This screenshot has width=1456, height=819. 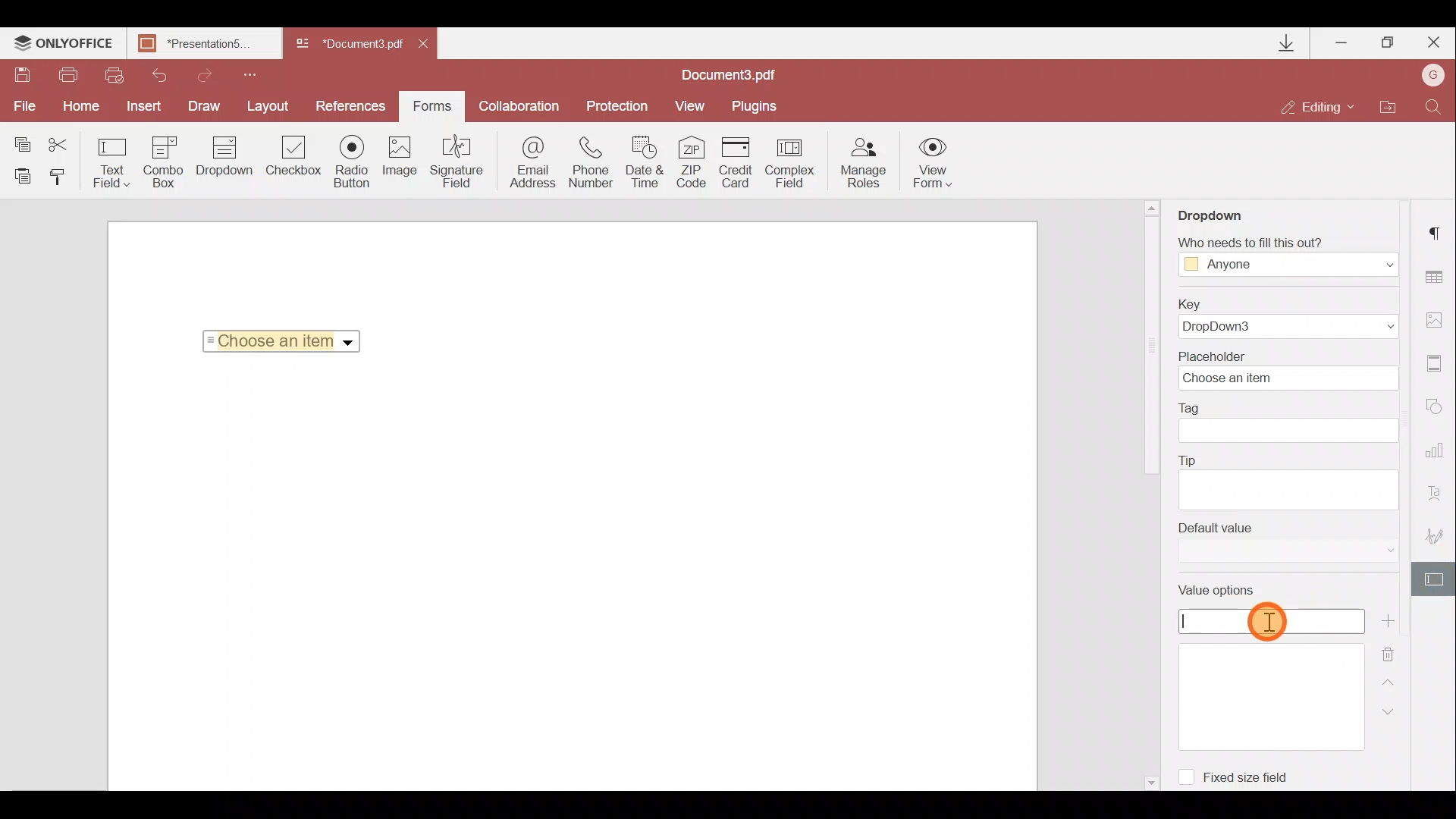 What do you see at coordinates (294, 157) in the screenshot?
I see `Checkbox` at bounding box center [294, 157].